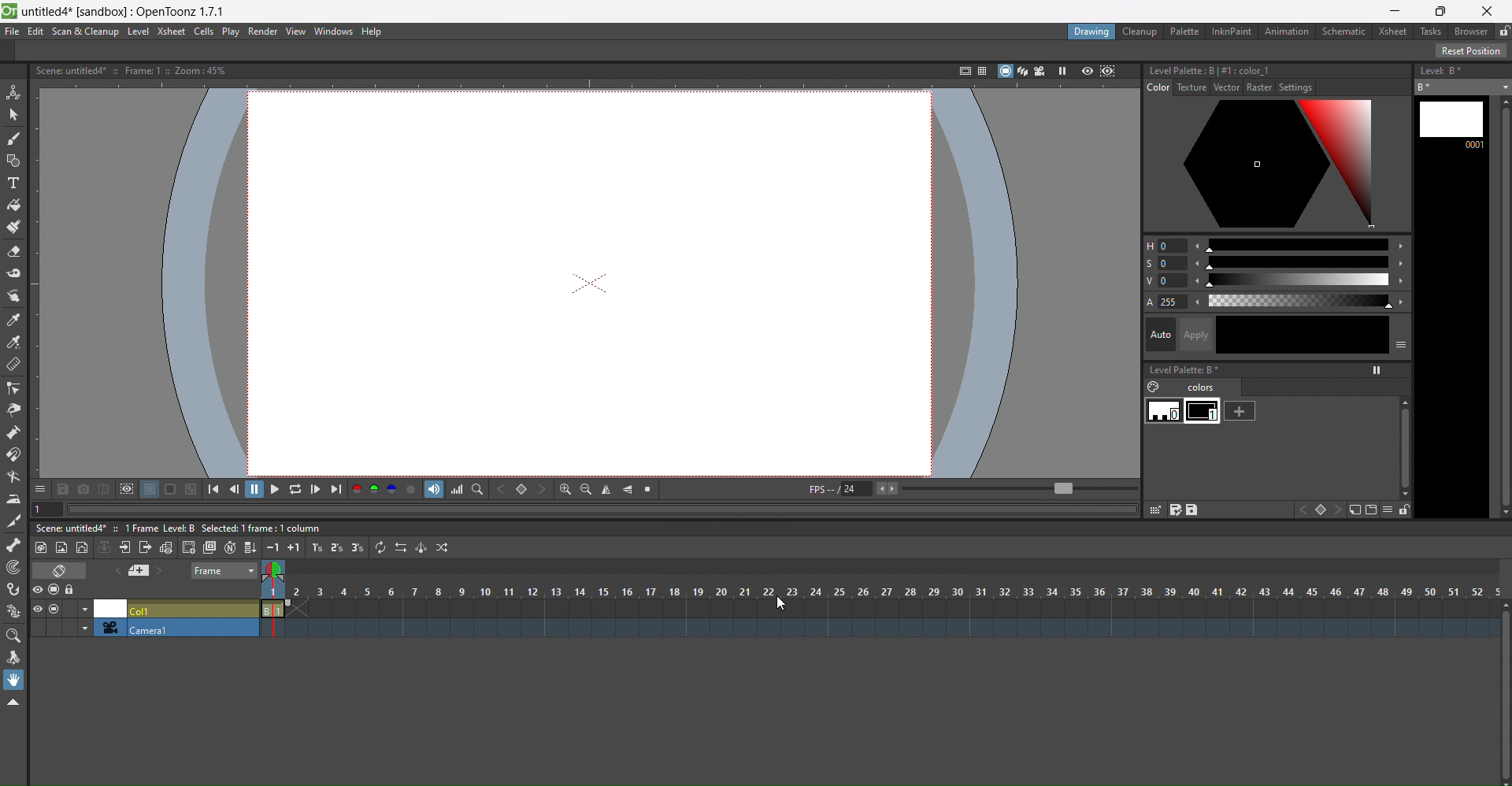  Describe the element at coordinates (1430, 32) in the screenshot. I see `tasks` at that location.